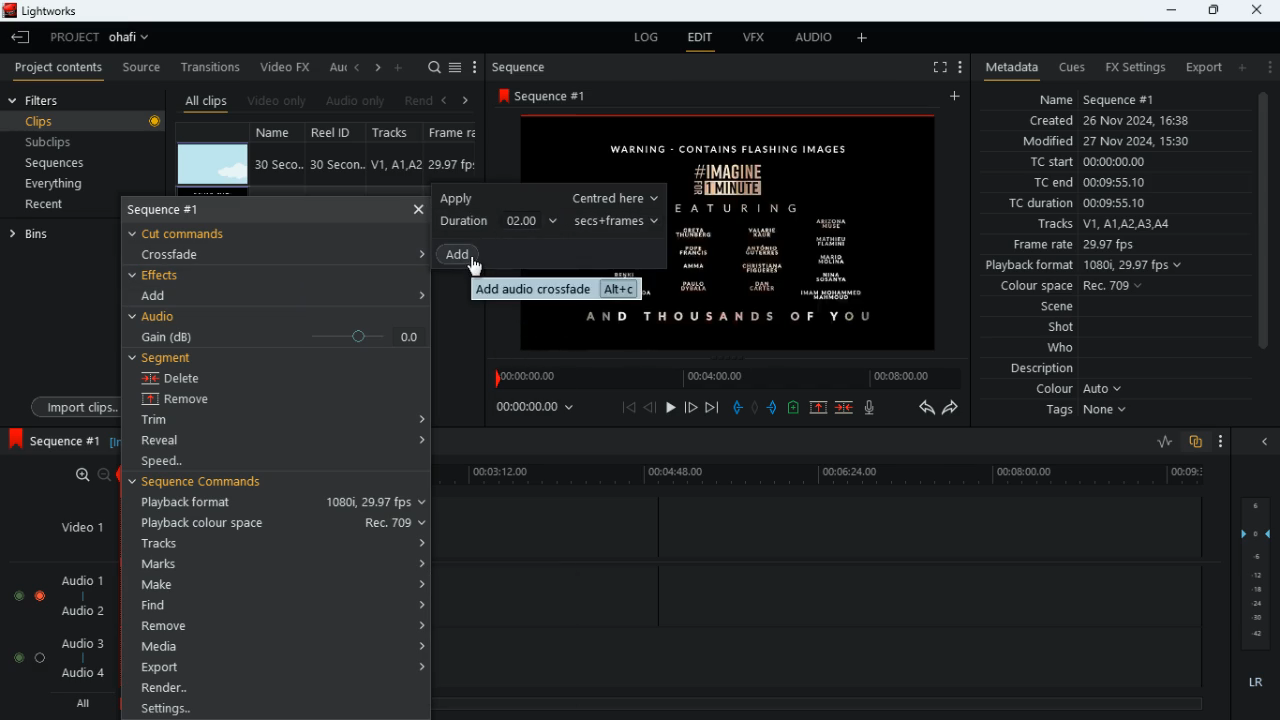  What do you see at coordinates (775, 409) in the screenshot?
I see `push` at bounding box center [775, 409].